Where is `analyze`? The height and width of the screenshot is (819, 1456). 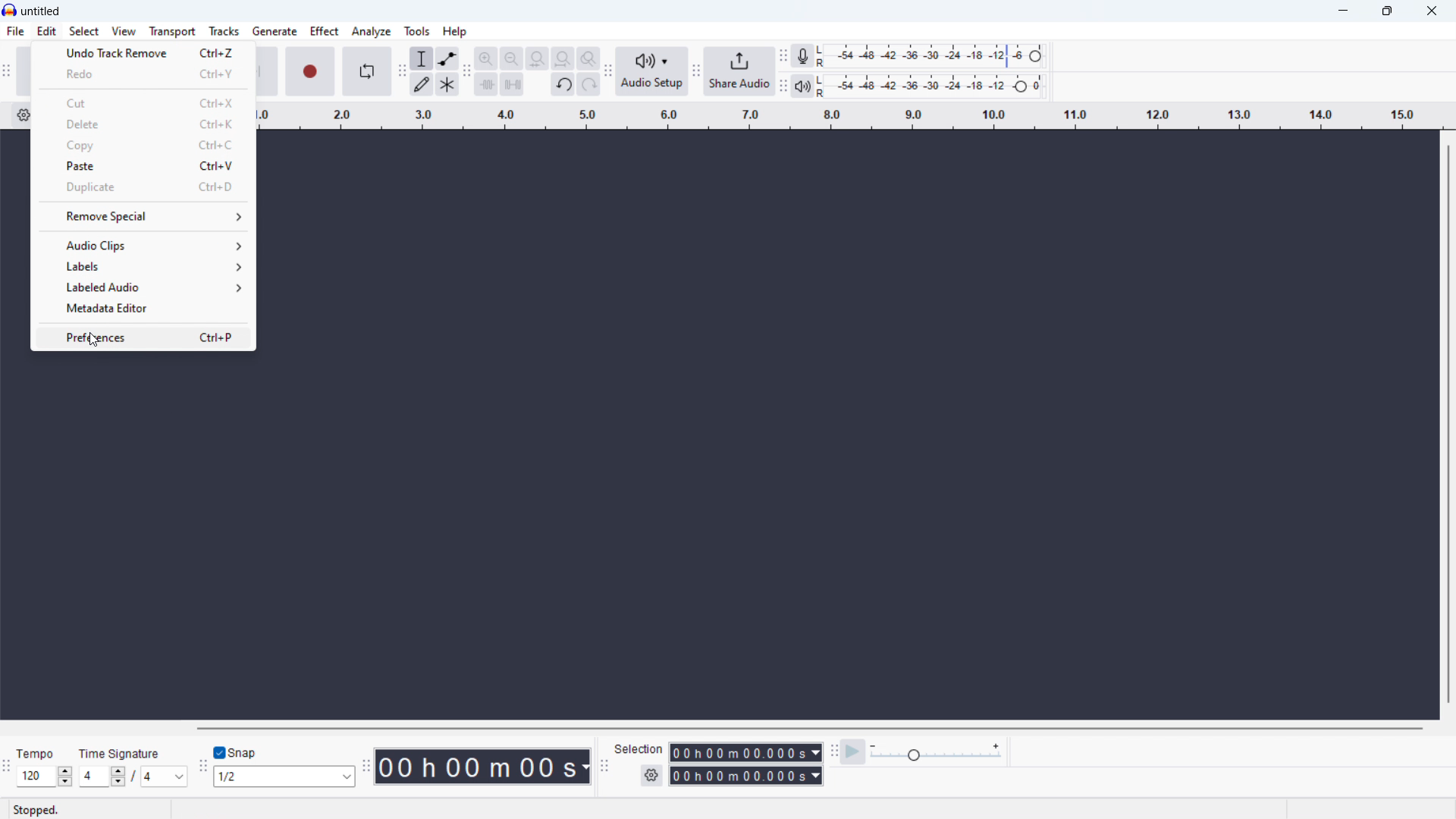
analyze is located at coordinates (371, 31).